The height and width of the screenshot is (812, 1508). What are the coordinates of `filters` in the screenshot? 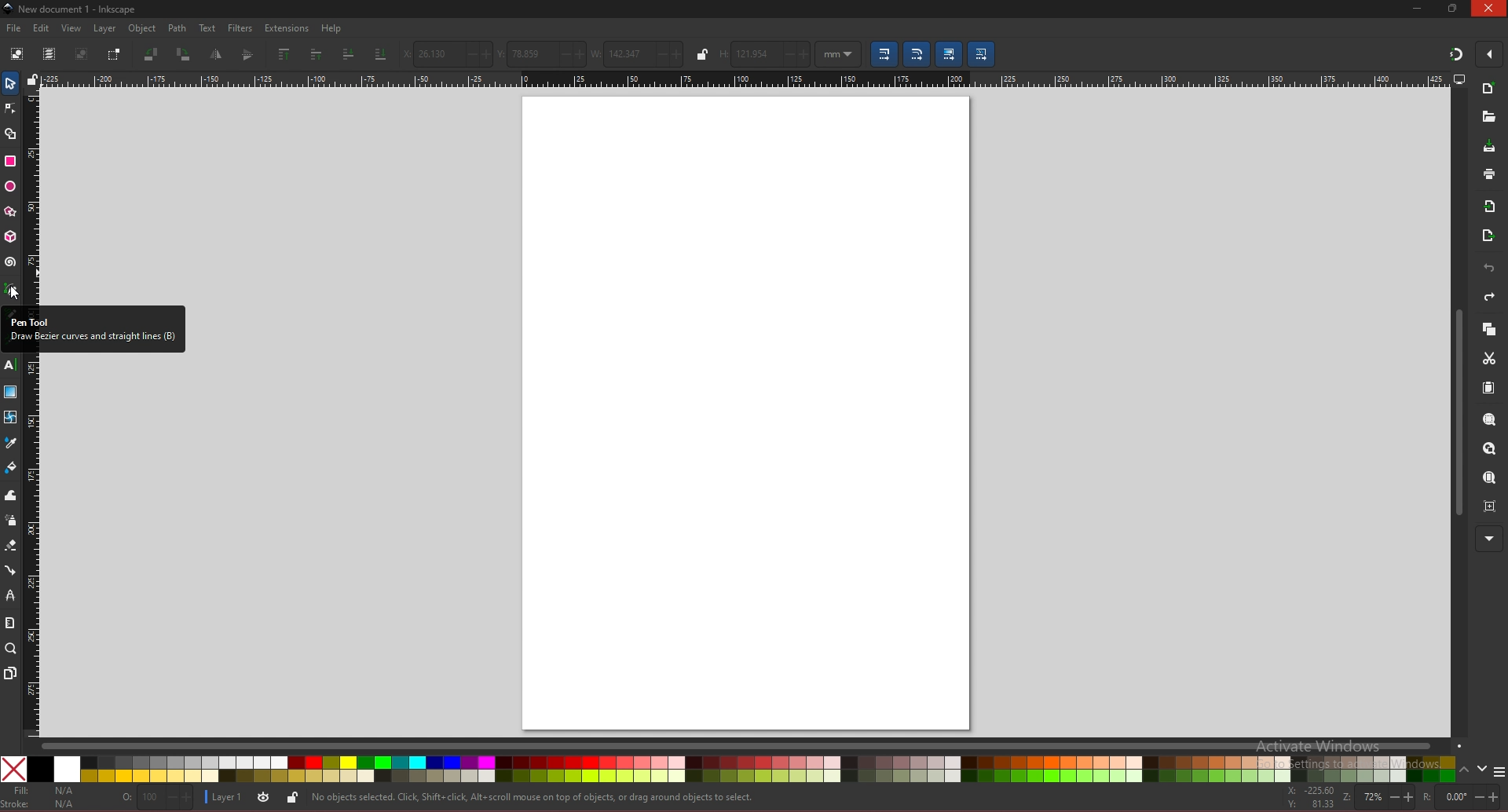 It's located at (241, 28).